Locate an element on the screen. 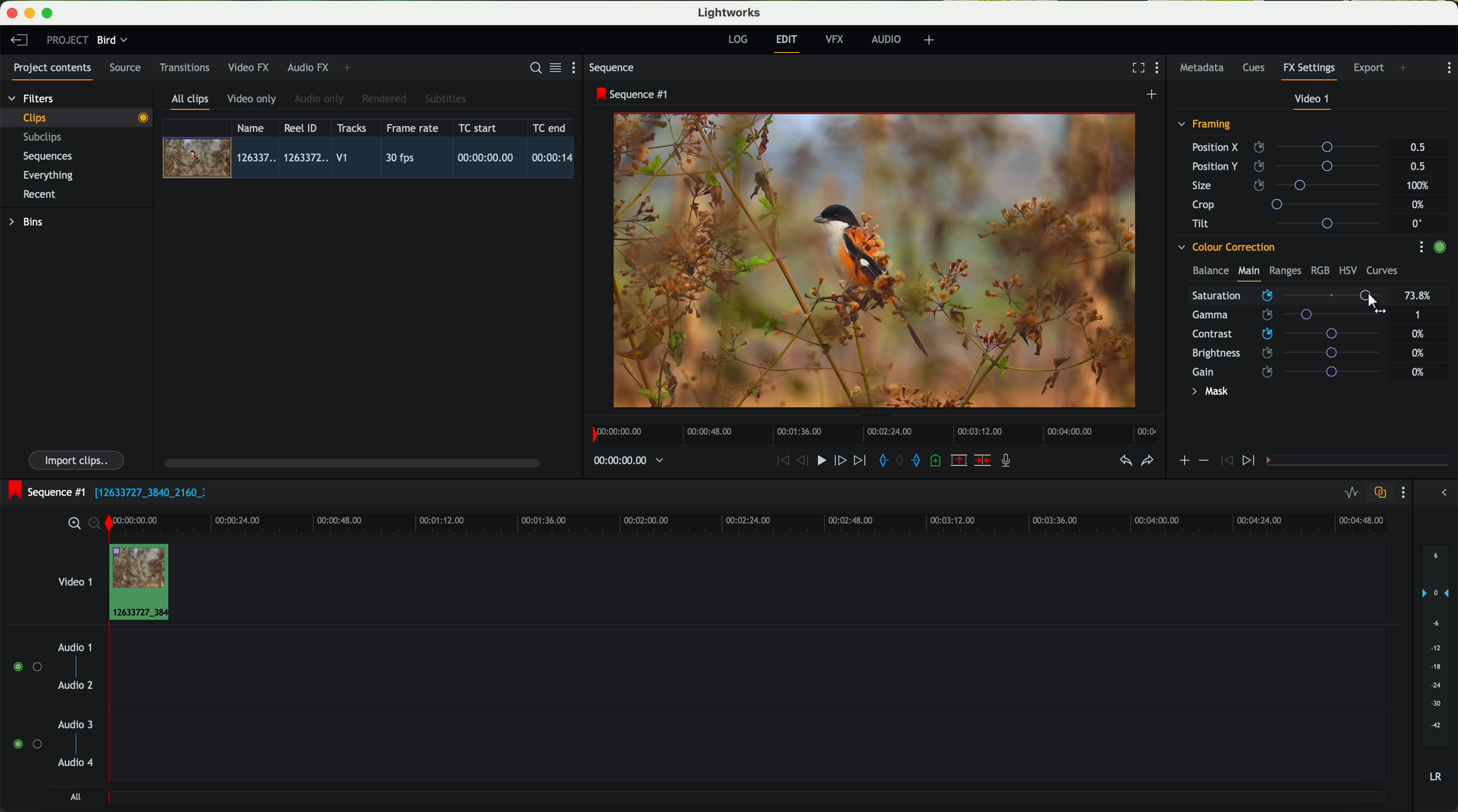  RGB is located at coordinates (1319, 269).